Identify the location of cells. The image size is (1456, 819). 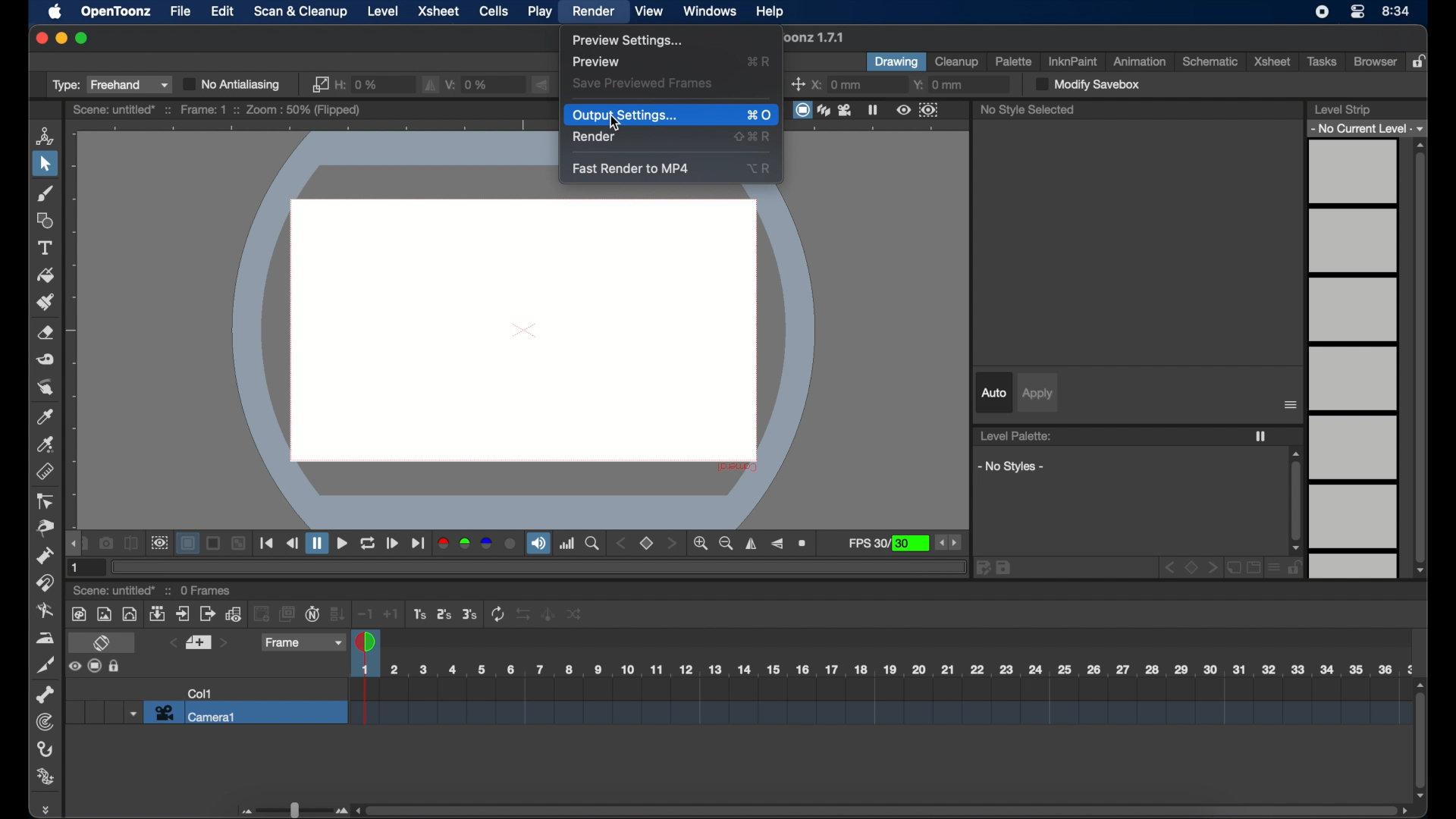
(493, 11).